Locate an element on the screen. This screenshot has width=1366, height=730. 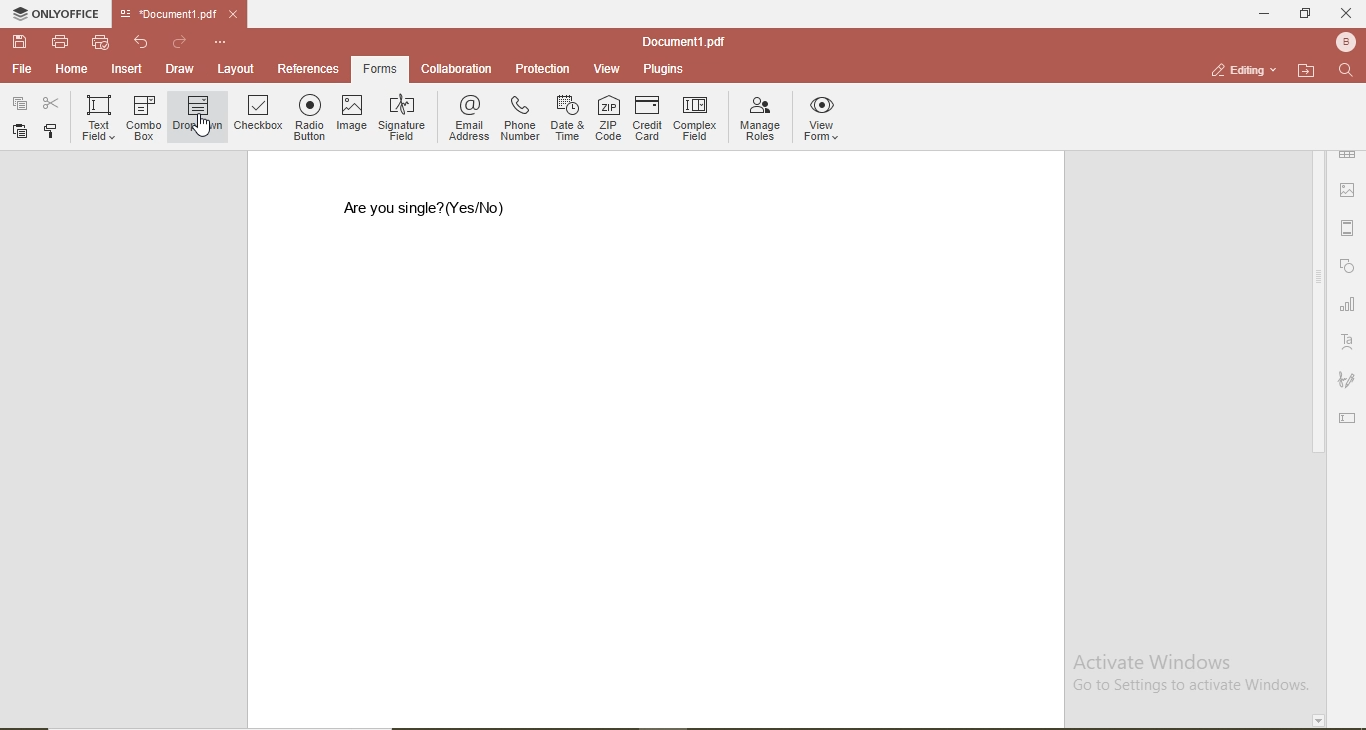
paragraph is located at coordinates (1350, 109).